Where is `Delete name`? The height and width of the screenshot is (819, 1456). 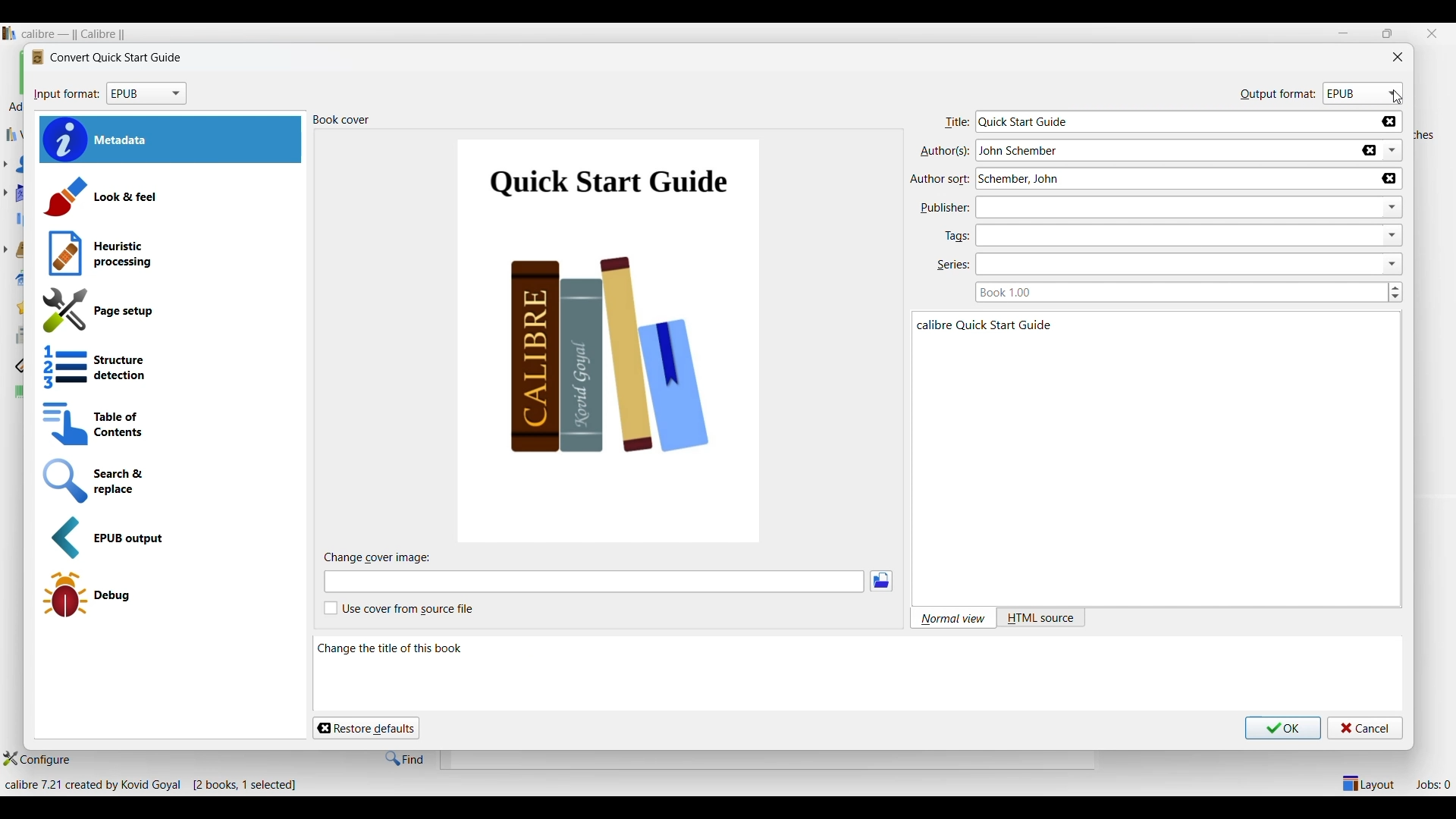
Delete name is located at coordinates (1369, 151).